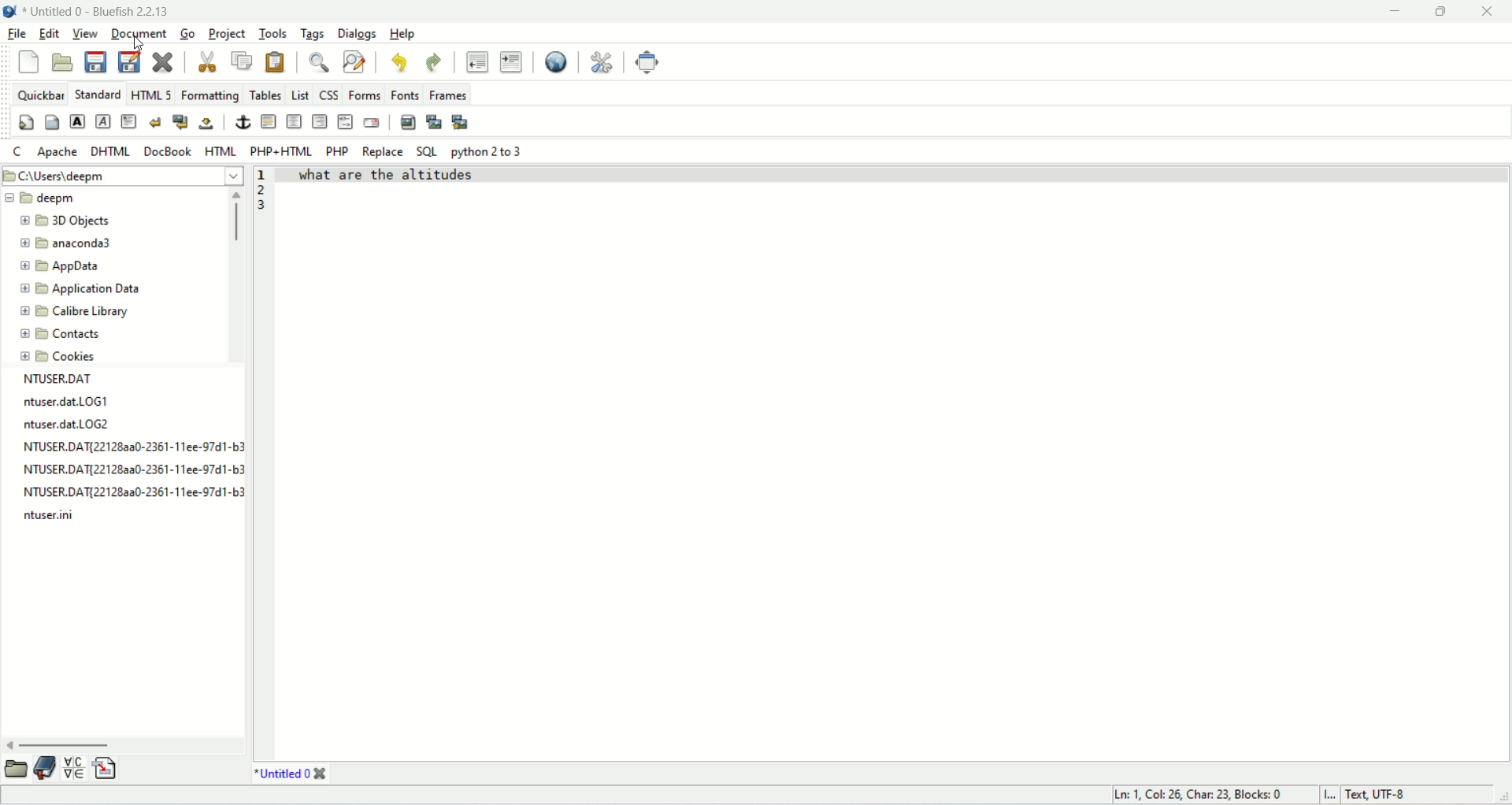 The height and width of the screenshot is (805, 1512). Describe the element at coordinates (427, 153) in the screenshot. I see `SQL` at that location.